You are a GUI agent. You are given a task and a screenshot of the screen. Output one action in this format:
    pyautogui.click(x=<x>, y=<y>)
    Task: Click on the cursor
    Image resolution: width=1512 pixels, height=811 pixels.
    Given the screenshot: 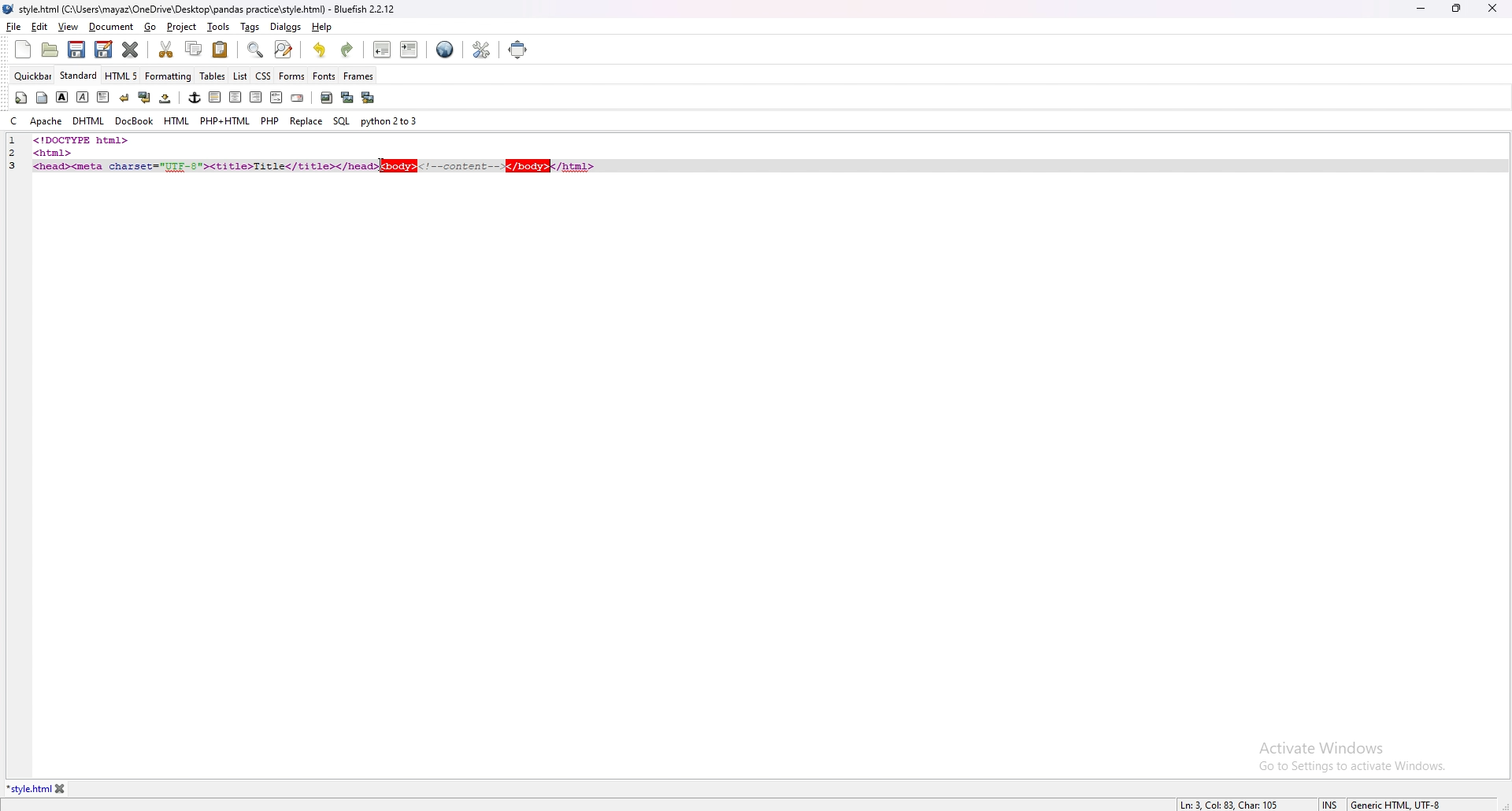 What is the action you would take?
    pyautogui.click(x=385, y=167)
    